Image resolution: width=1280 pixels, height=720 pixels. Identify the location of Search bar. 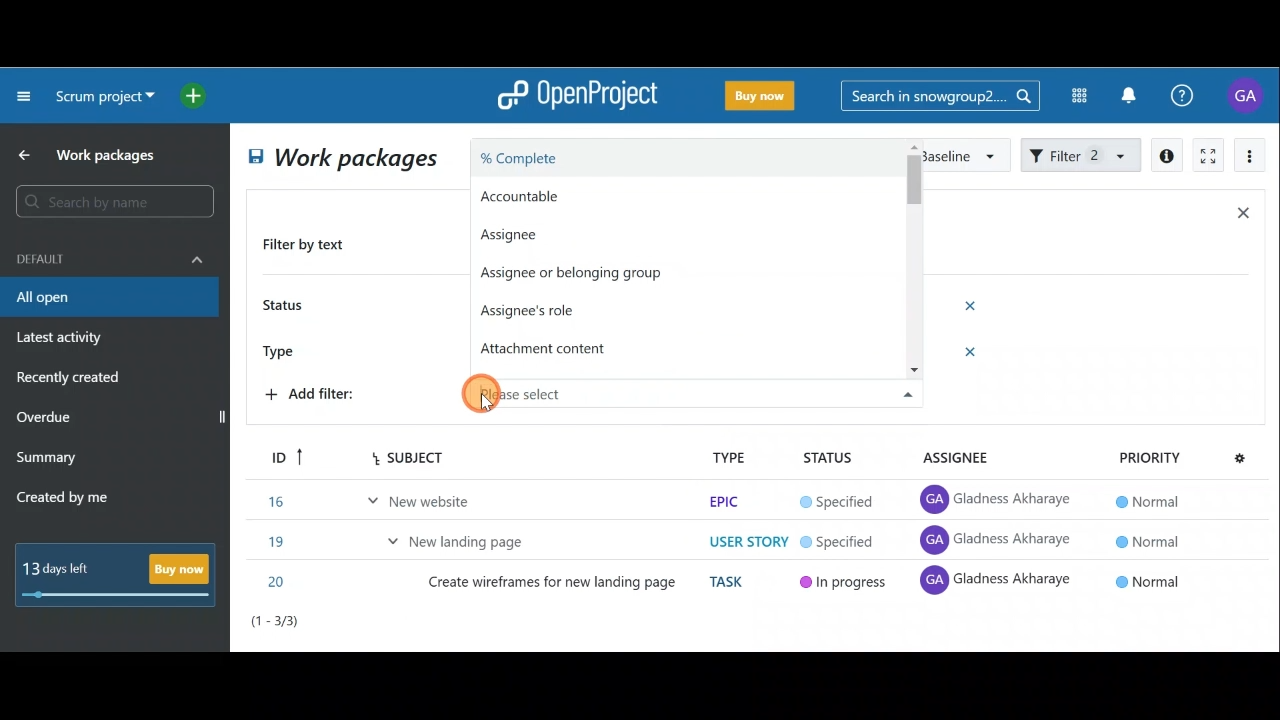
(118, 201).